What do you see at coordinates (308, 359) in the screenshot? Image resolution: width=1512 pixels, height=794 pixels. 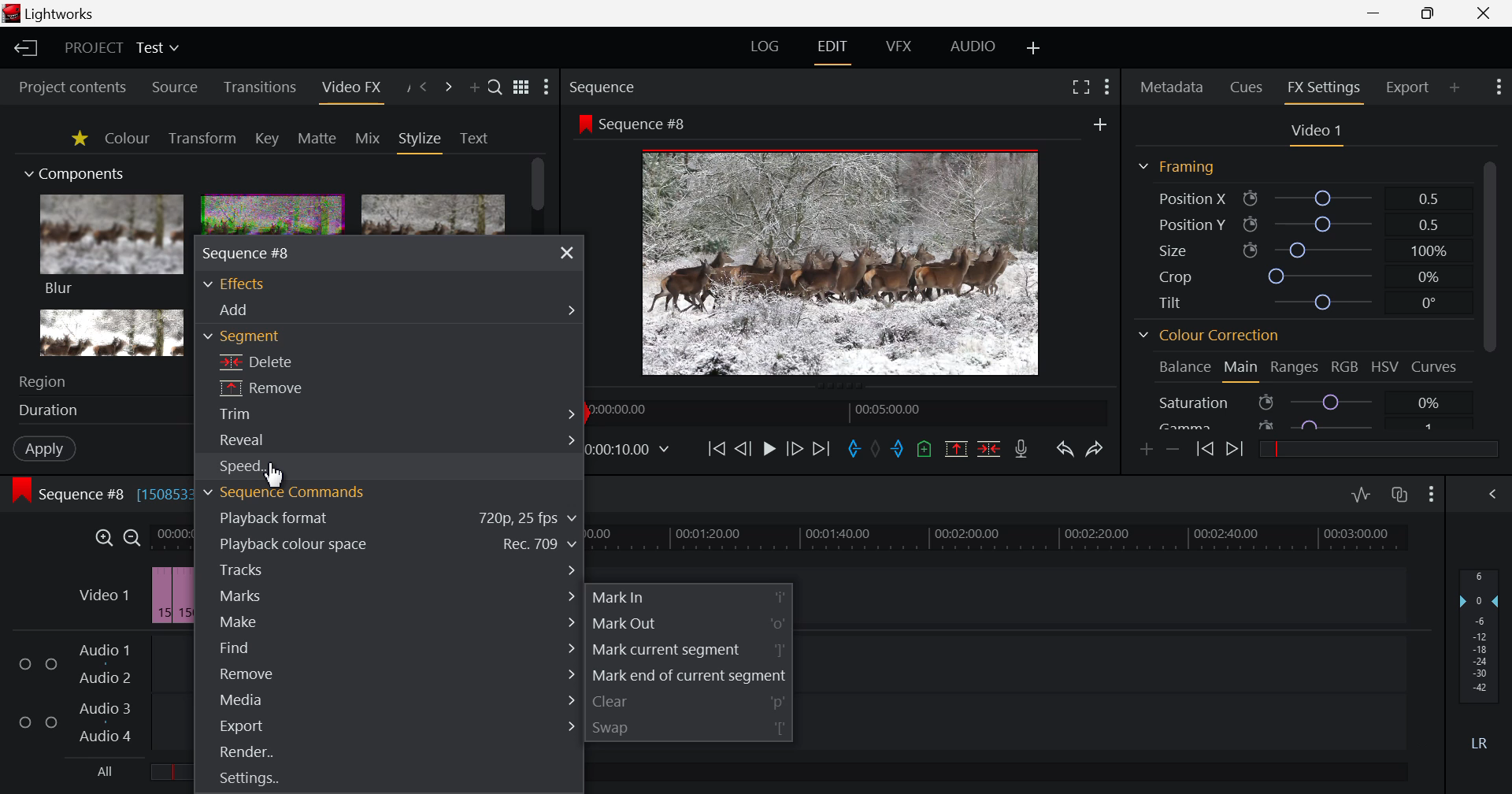 I see `Delete` at bounding box center [308, 359].